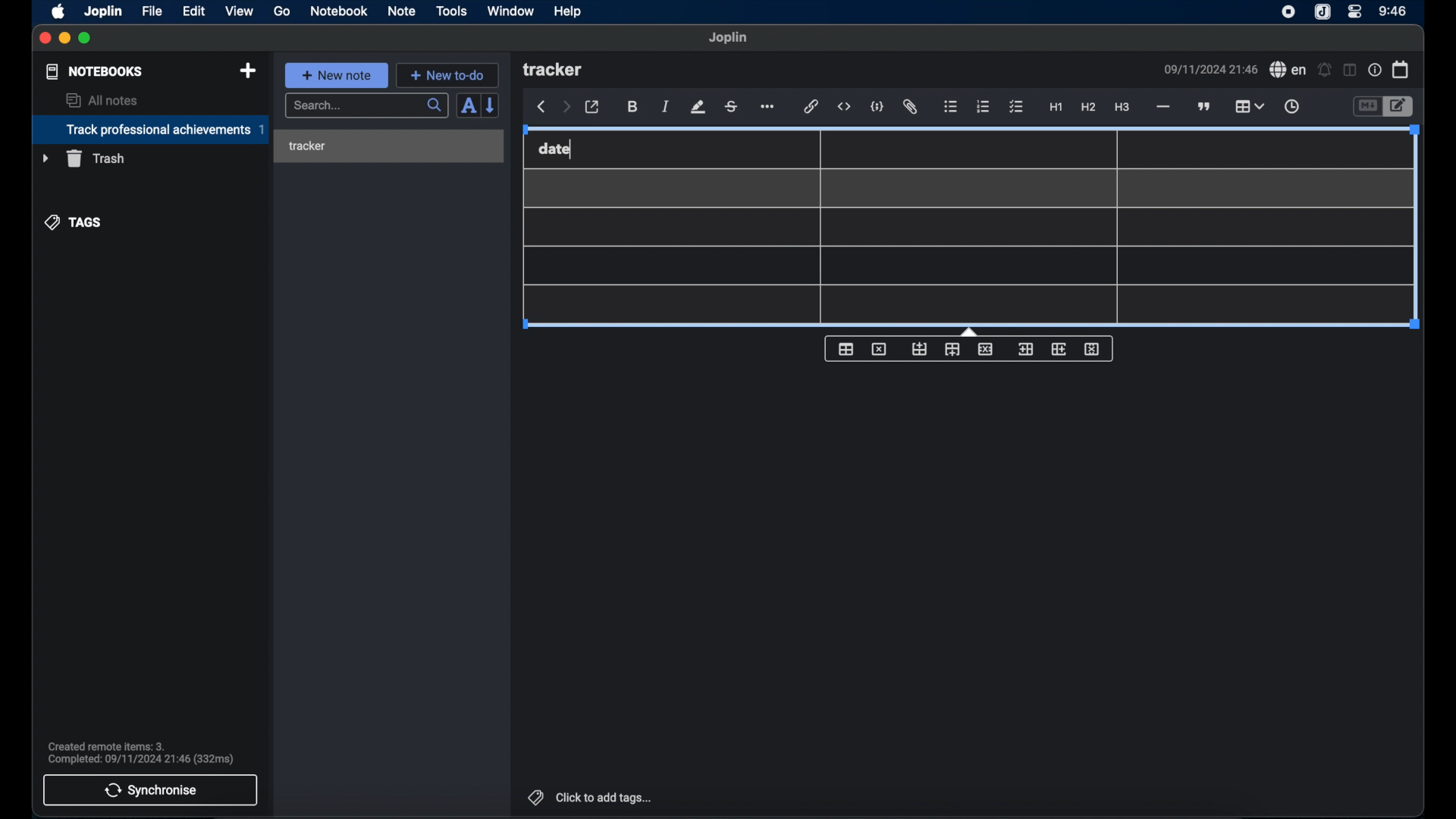  What do you see at coordinates (466, 107) in the screenshot?
I see `toggle sort order field` at bounding box center [466, 107].